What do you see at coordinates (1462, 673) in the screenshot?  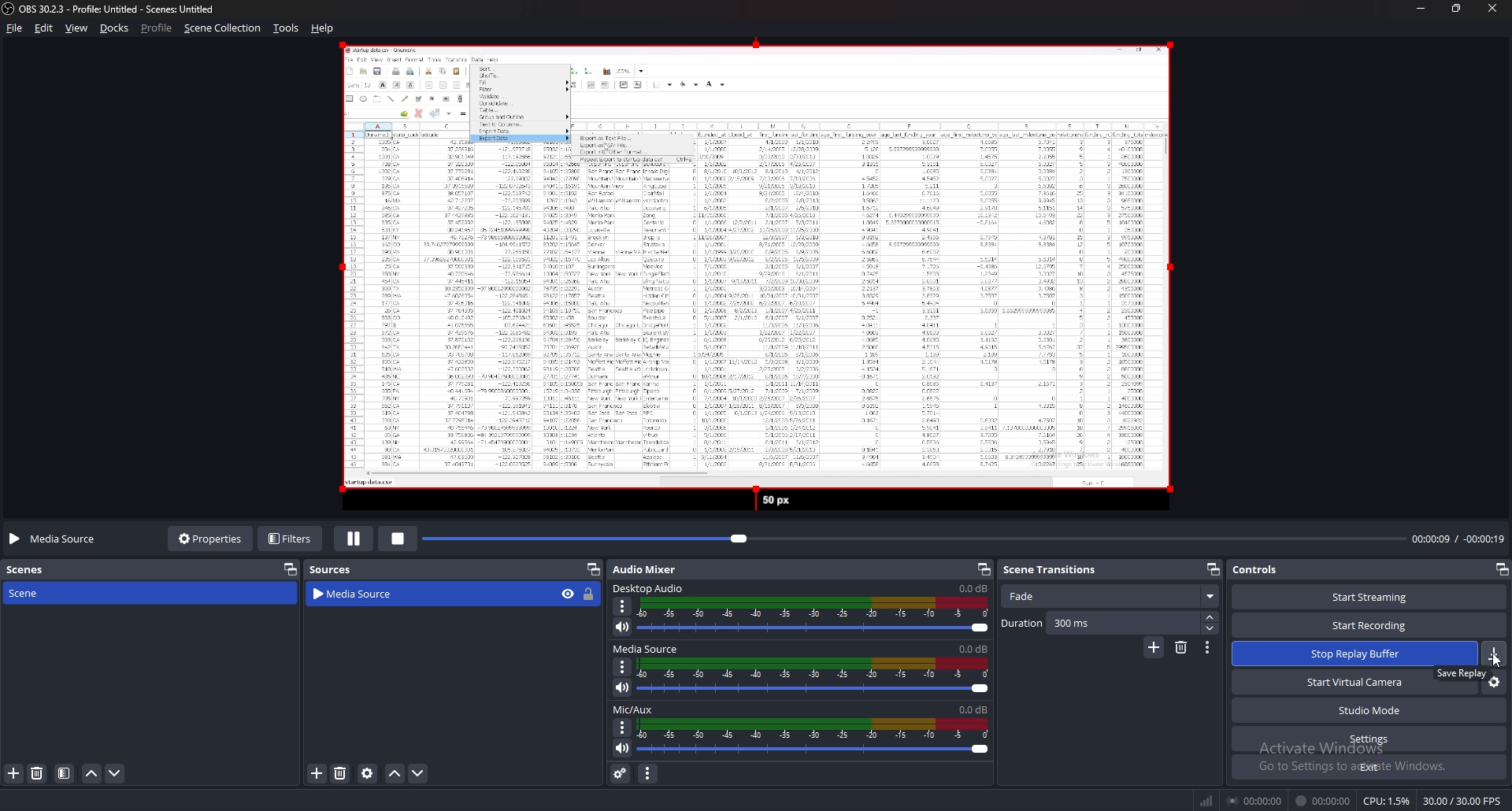 I see `save replay` at bounding box center [1462, 673].